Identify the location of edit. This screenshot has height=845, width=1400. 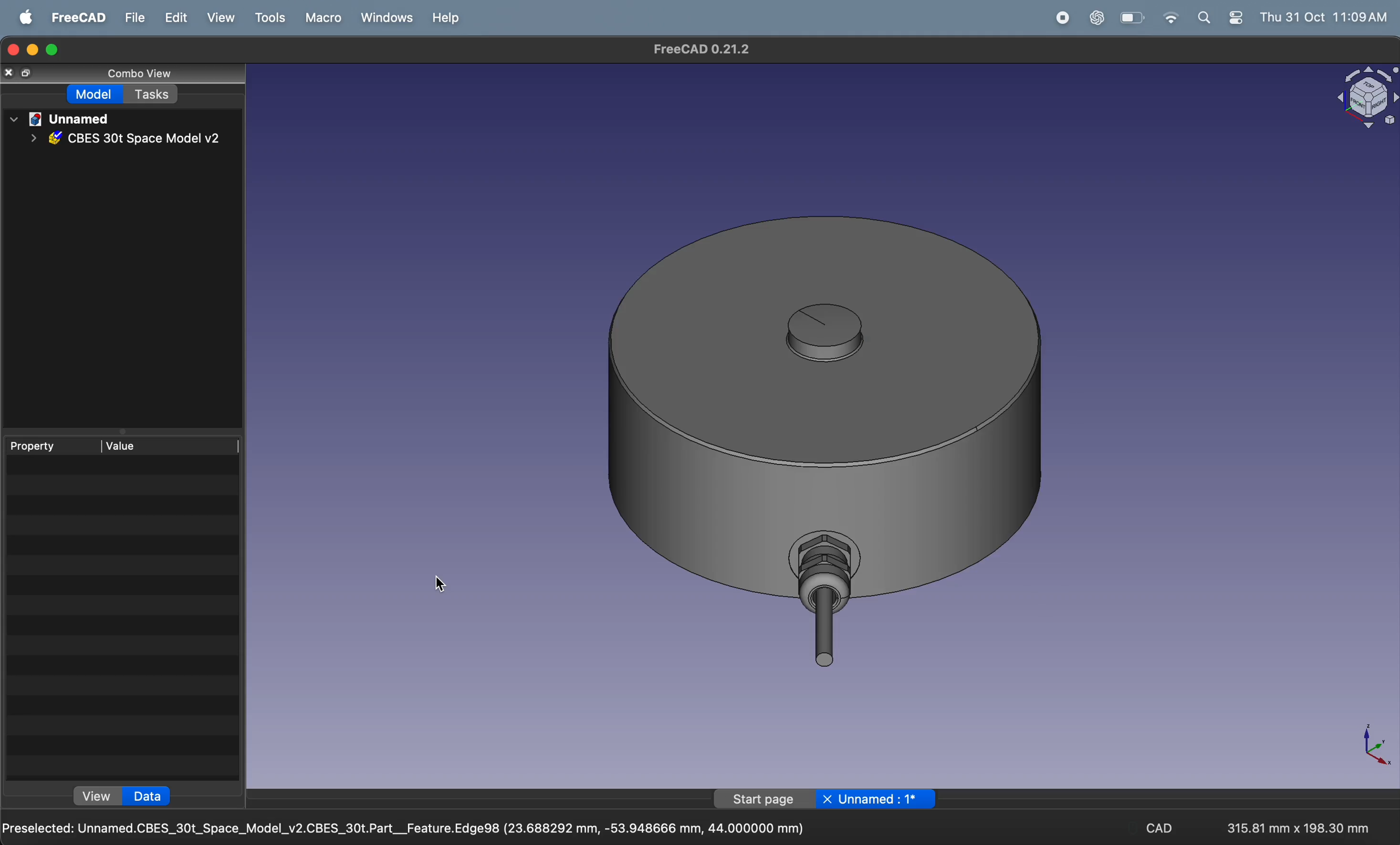
(174, 18).